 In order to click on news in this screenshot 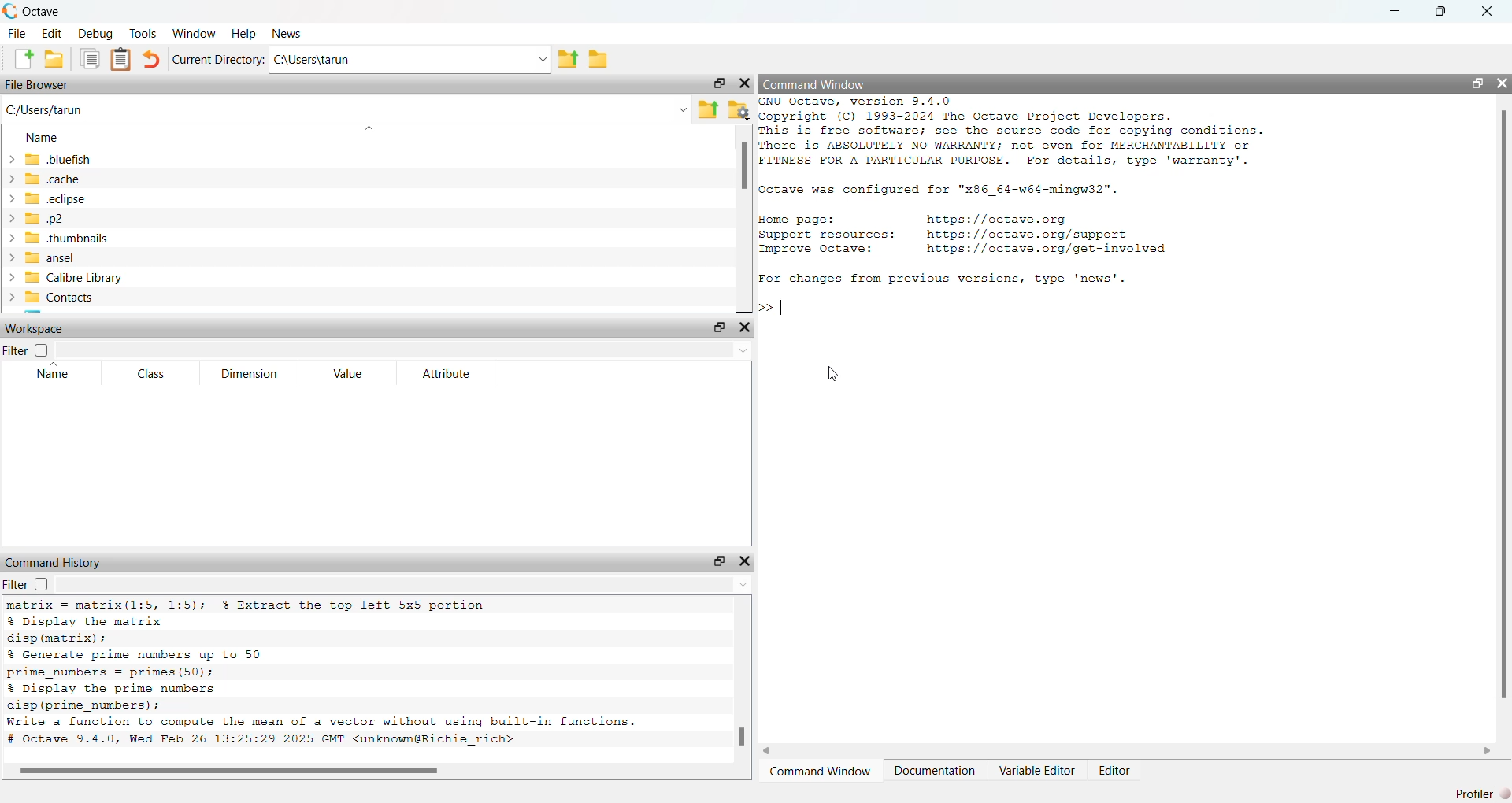, I will do `click(288, 35)`.